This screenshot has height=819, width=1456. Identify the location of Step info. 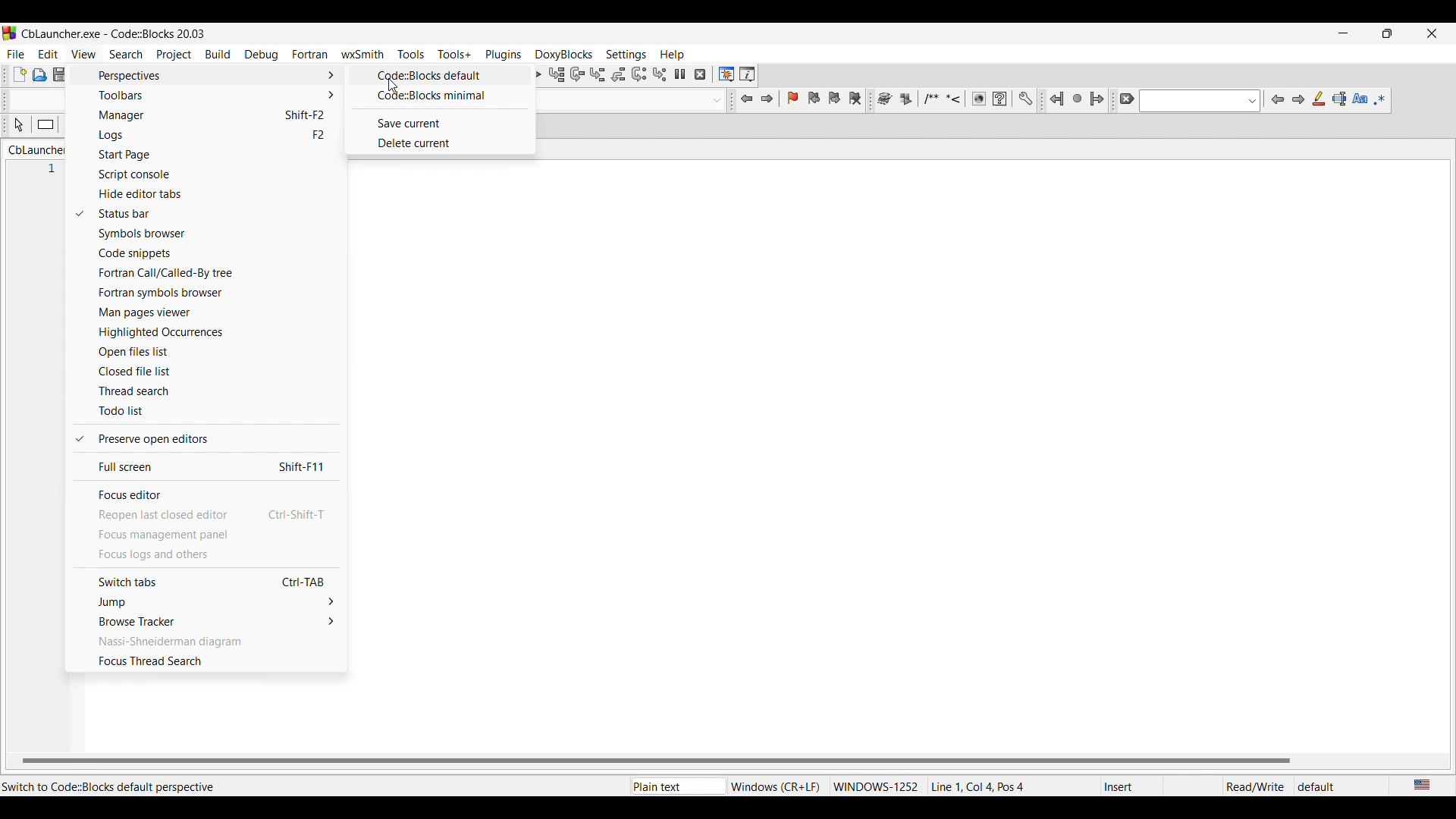
(598, 74).